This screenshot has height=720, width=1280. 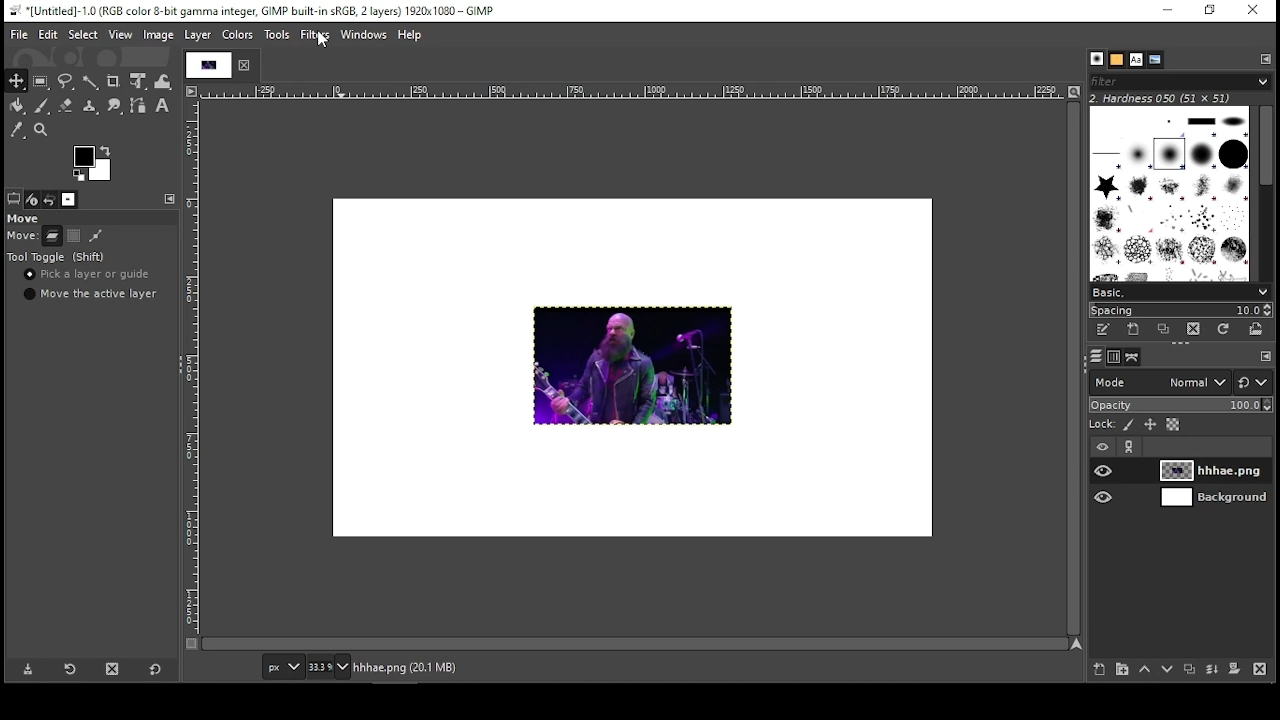 I want to click on scale, so click(x=634, y=94).